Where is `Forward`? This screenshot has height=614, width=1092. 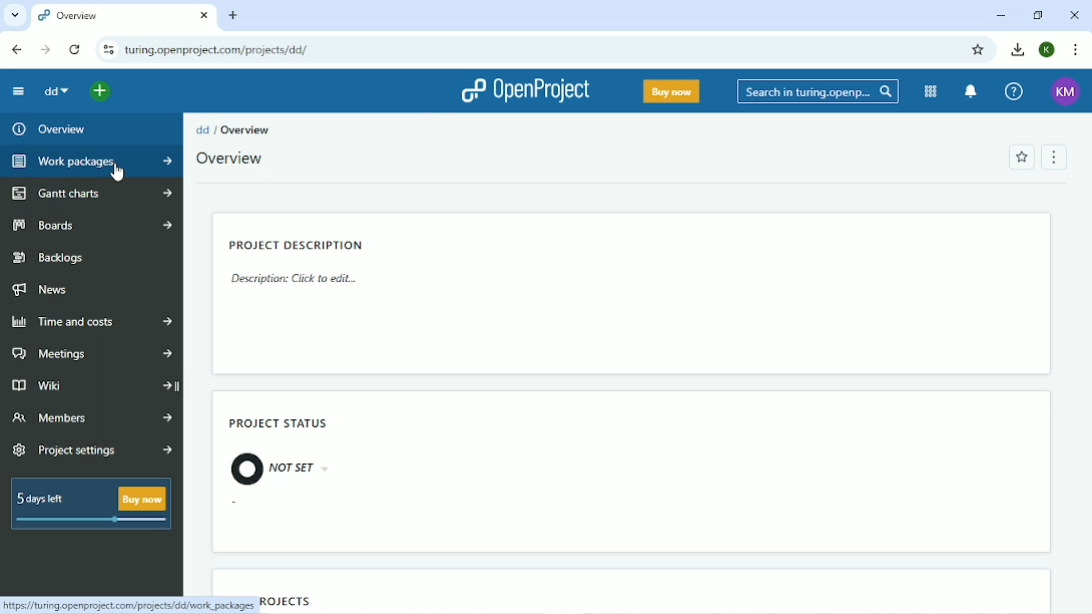
Forward is located at coordinates (46, 49).